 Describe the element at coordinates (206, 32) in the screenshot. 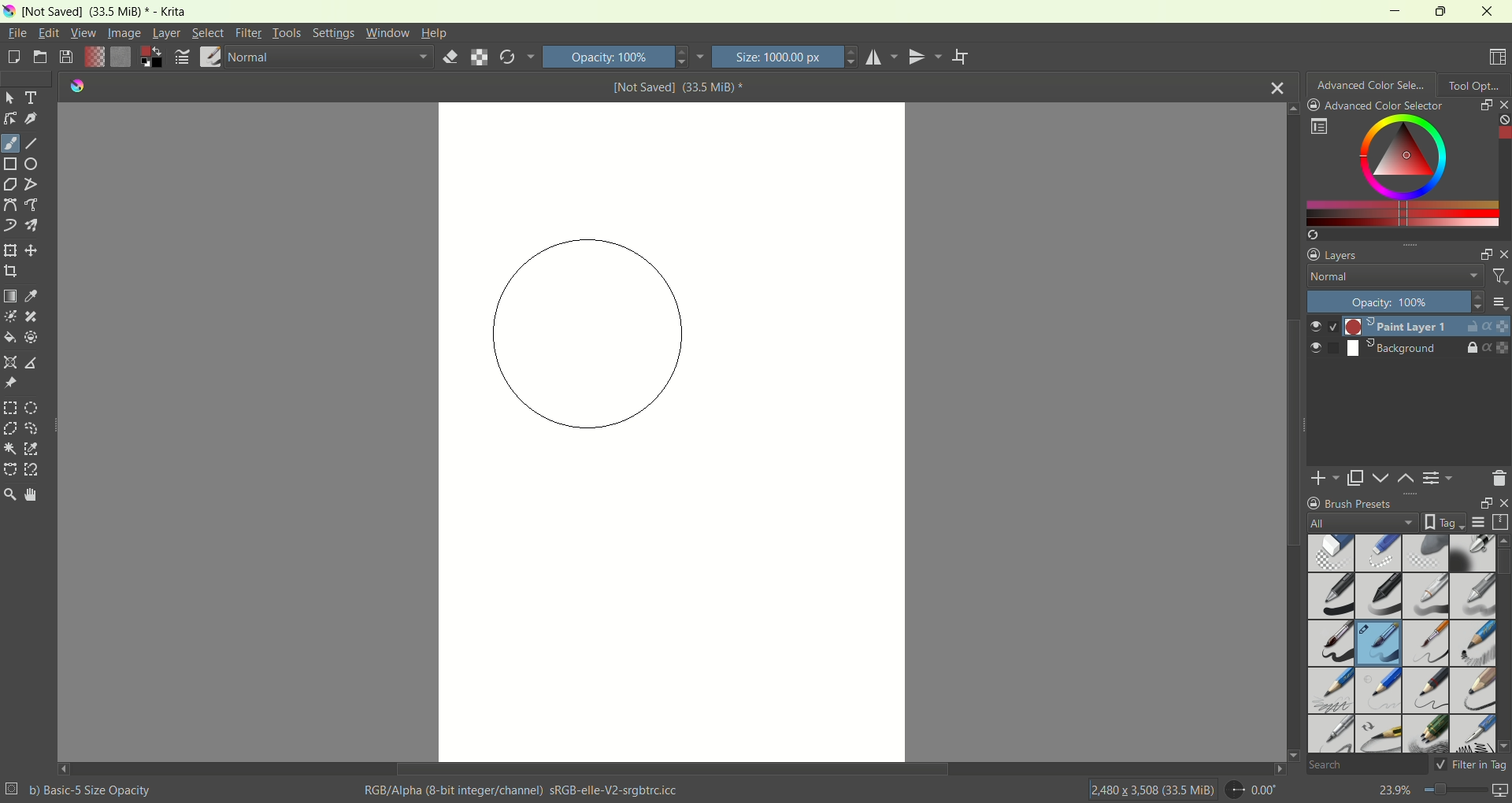

I see `select` at that location.